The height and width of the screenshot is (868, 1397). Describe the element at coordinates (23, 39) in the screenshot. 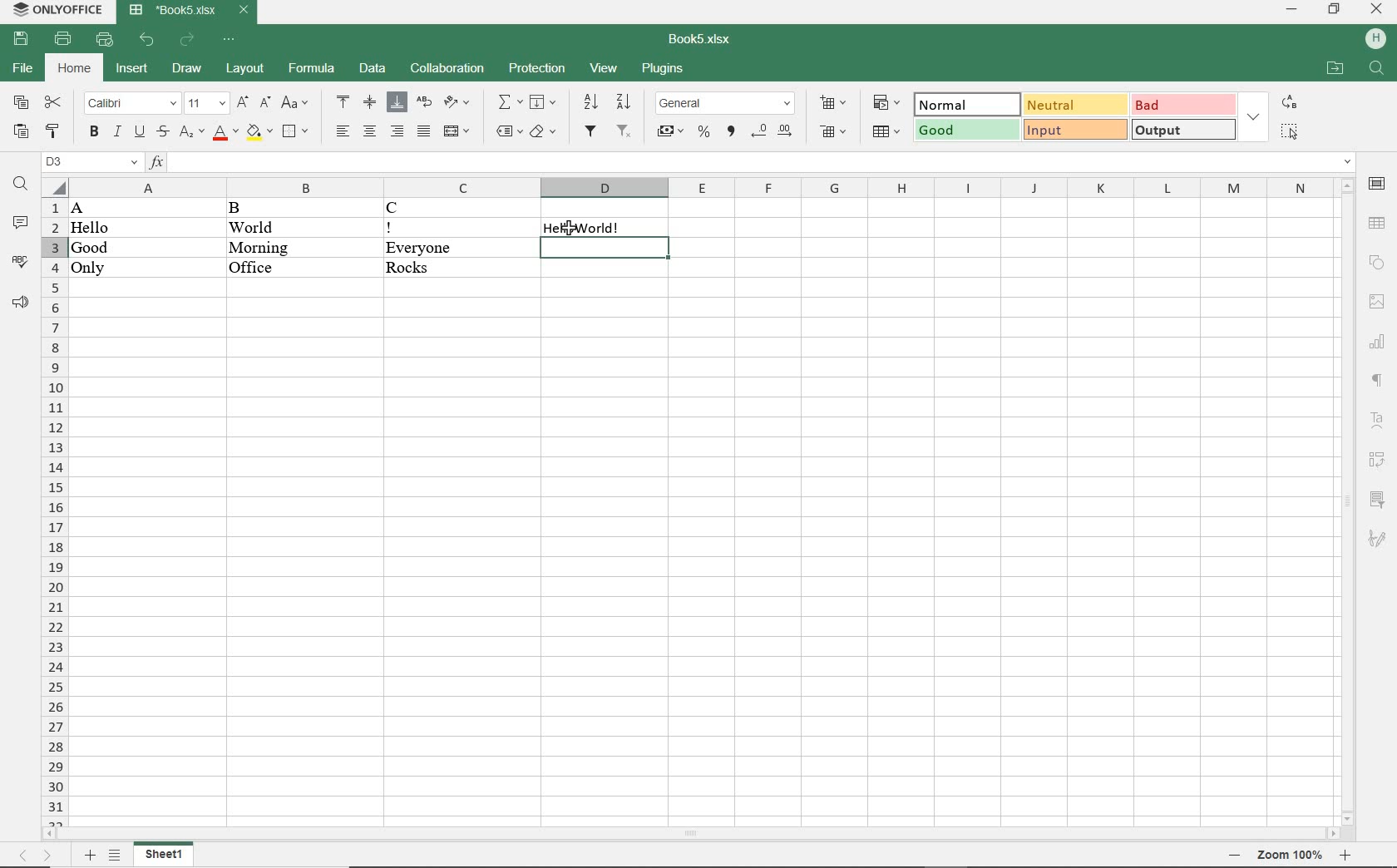

I see `SAVE` at that location.